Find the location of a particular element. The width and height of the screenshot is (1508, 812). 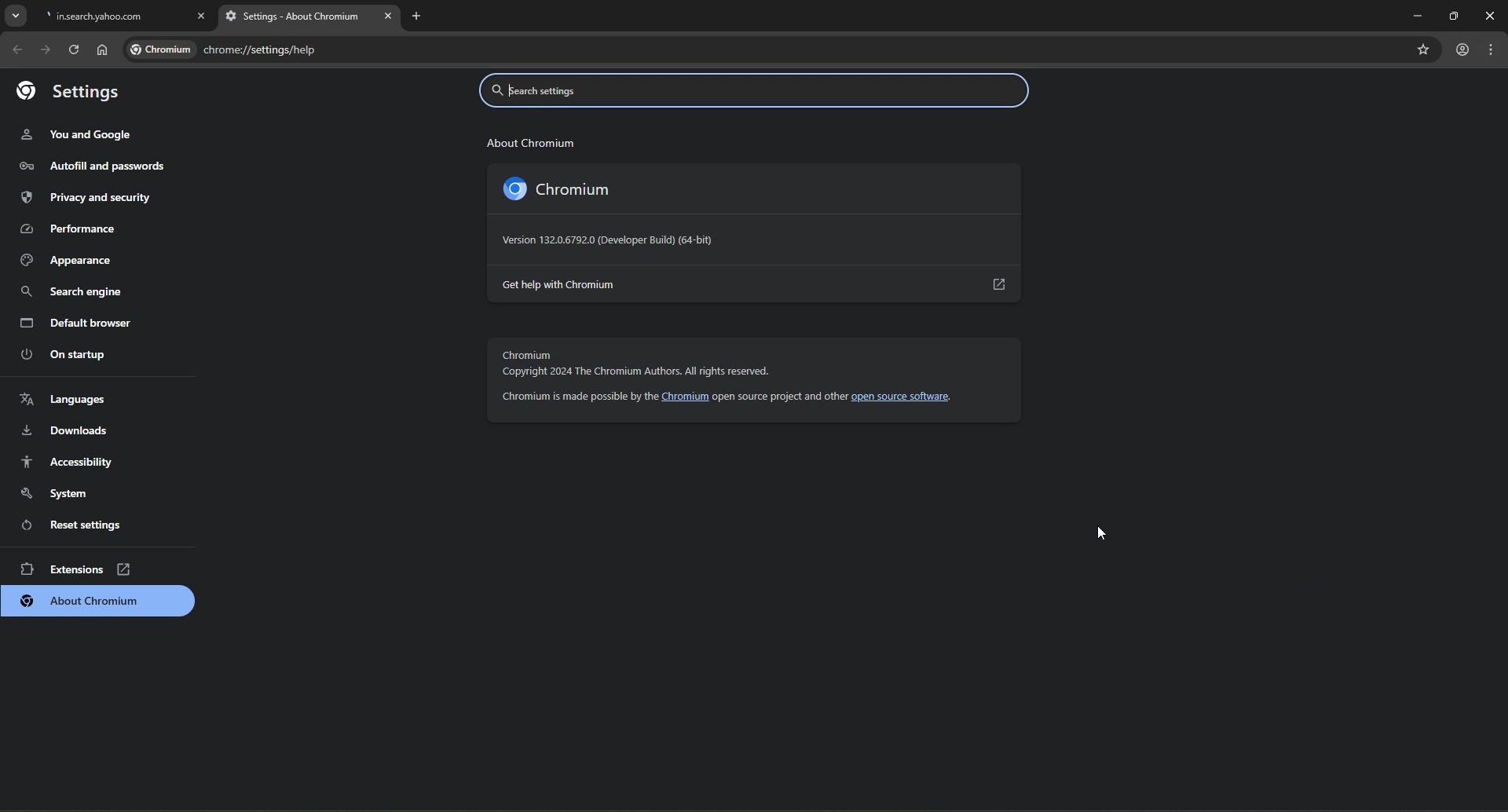

Logo is located at coordinates (68, 91).